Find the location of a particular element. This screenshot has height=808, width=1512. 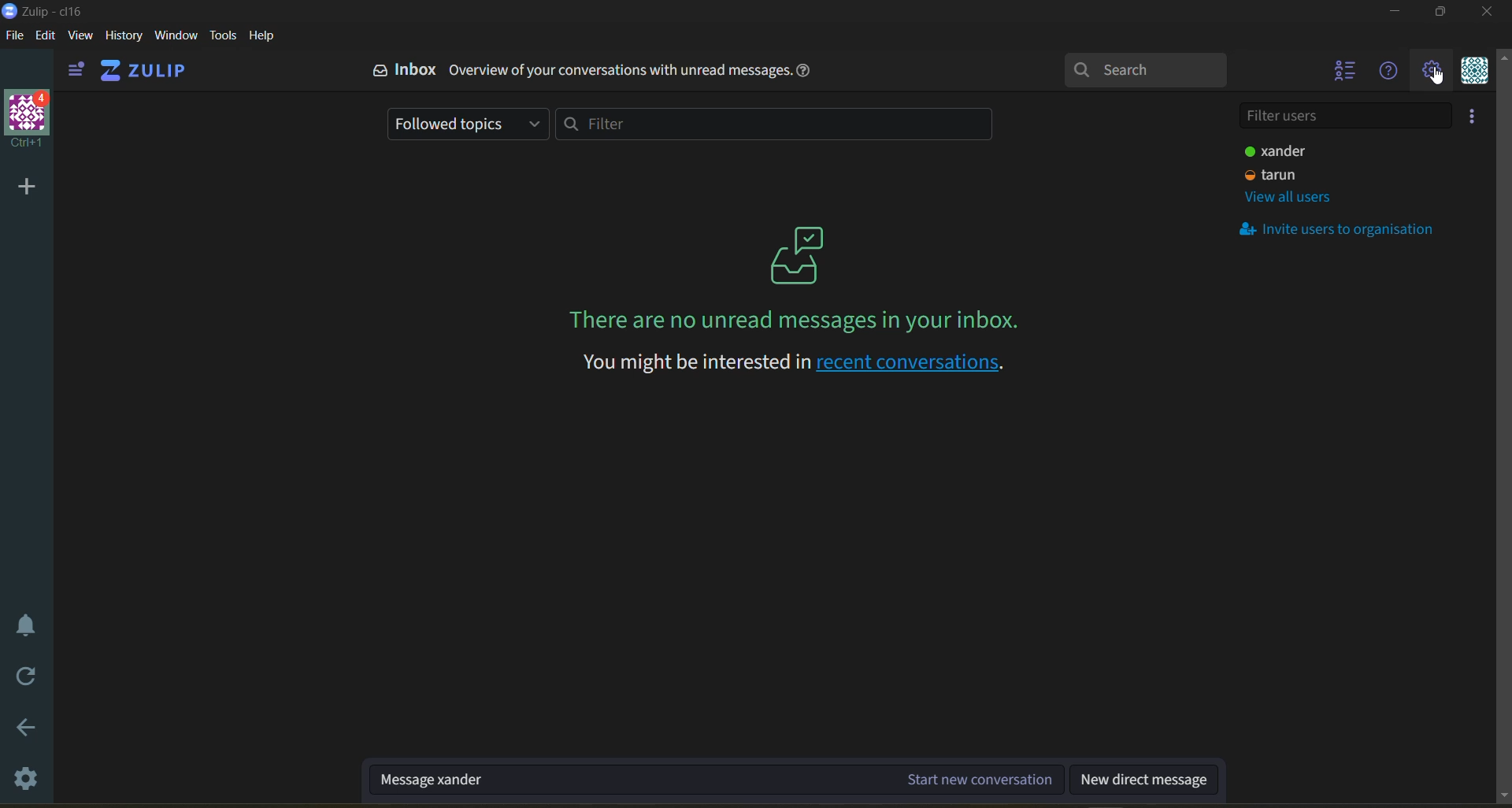

search is located at coordinates (1144, 69).